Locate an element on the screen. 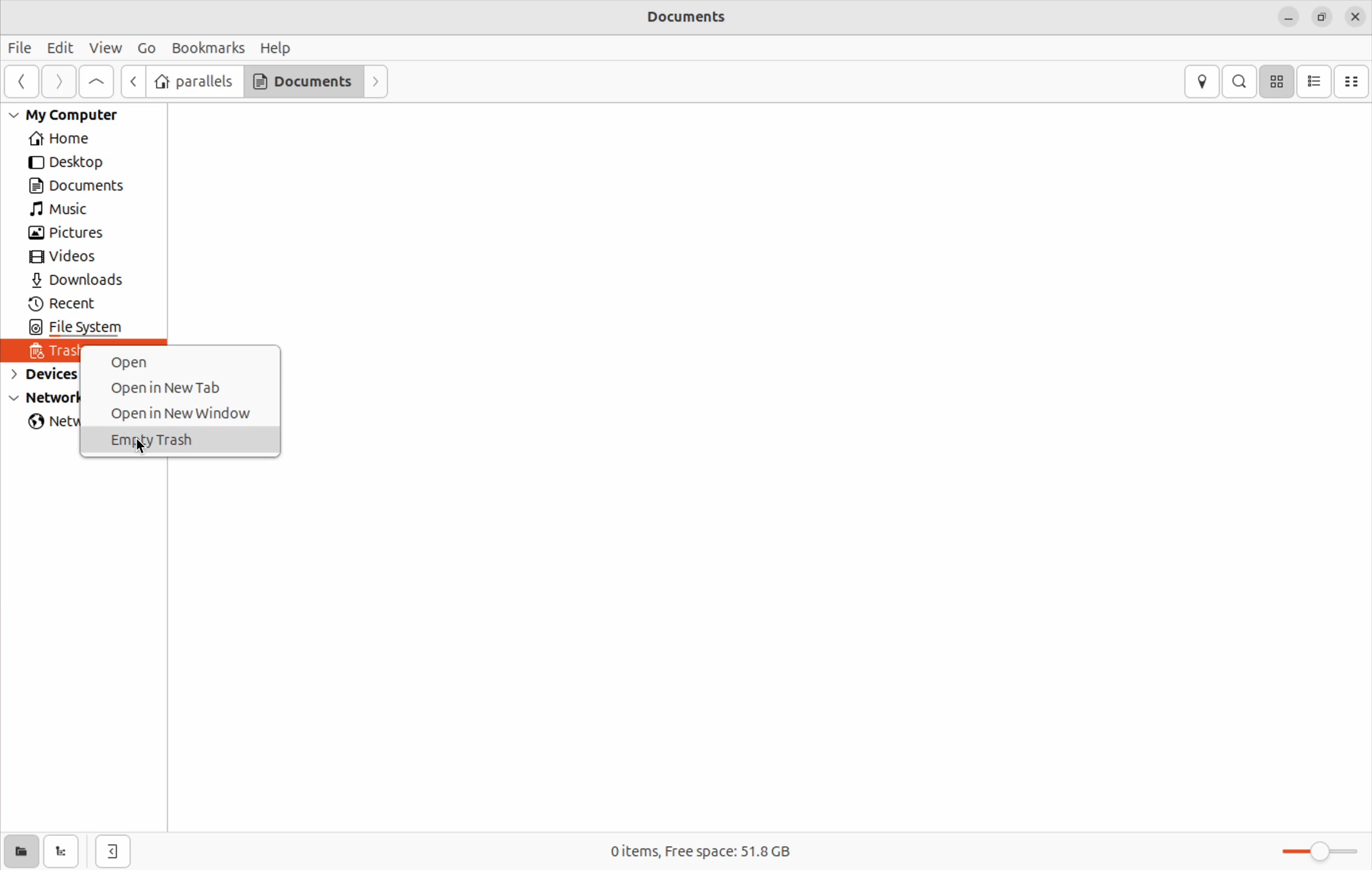 The width and height of the screenshot is (1372, 870). view is located at coordinates (105, 47).